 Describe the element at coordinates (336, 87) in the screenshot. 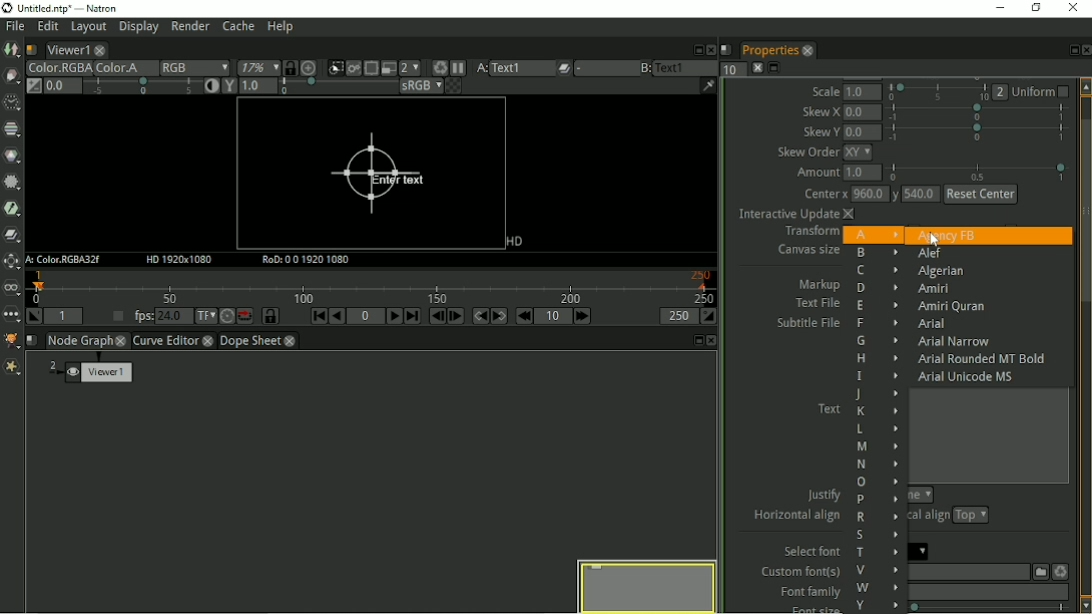

I see `selection bar` at that location.